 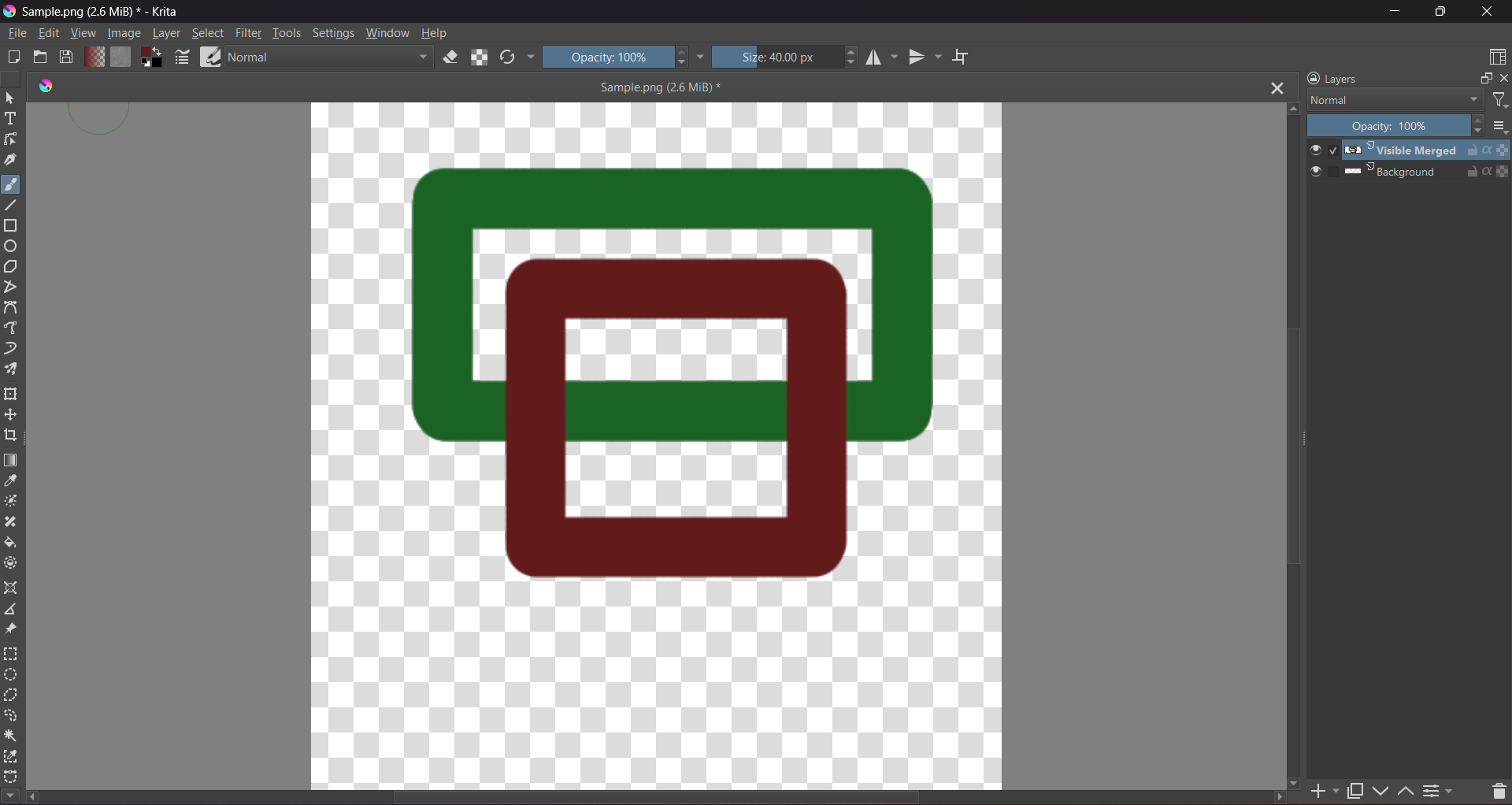 I want to click on Preset Alpha, so click(x=482, y=57).